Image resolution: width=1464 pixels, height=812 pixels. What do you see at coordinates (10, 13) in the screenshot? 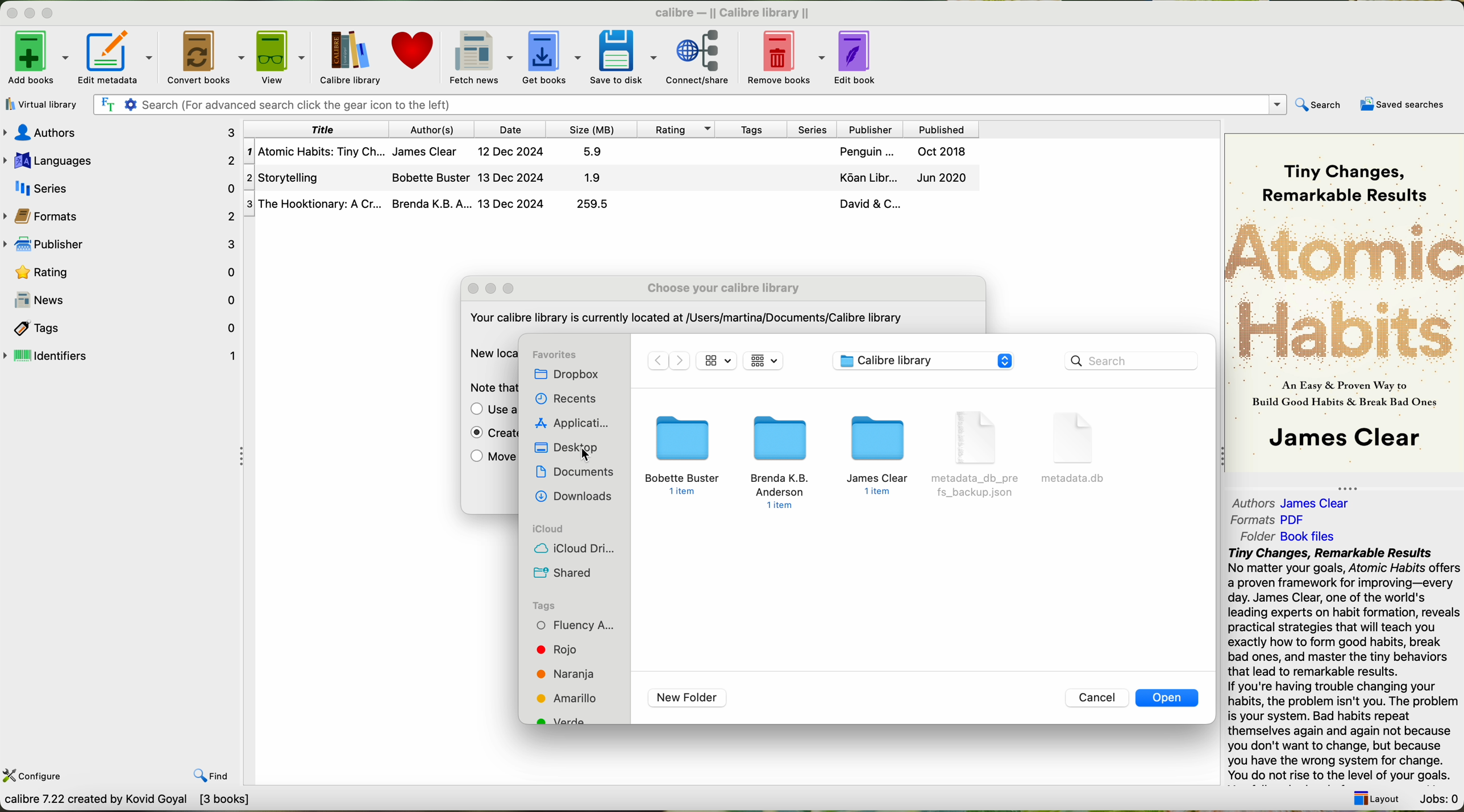
I see `close program` at bounding box center [10, 13].